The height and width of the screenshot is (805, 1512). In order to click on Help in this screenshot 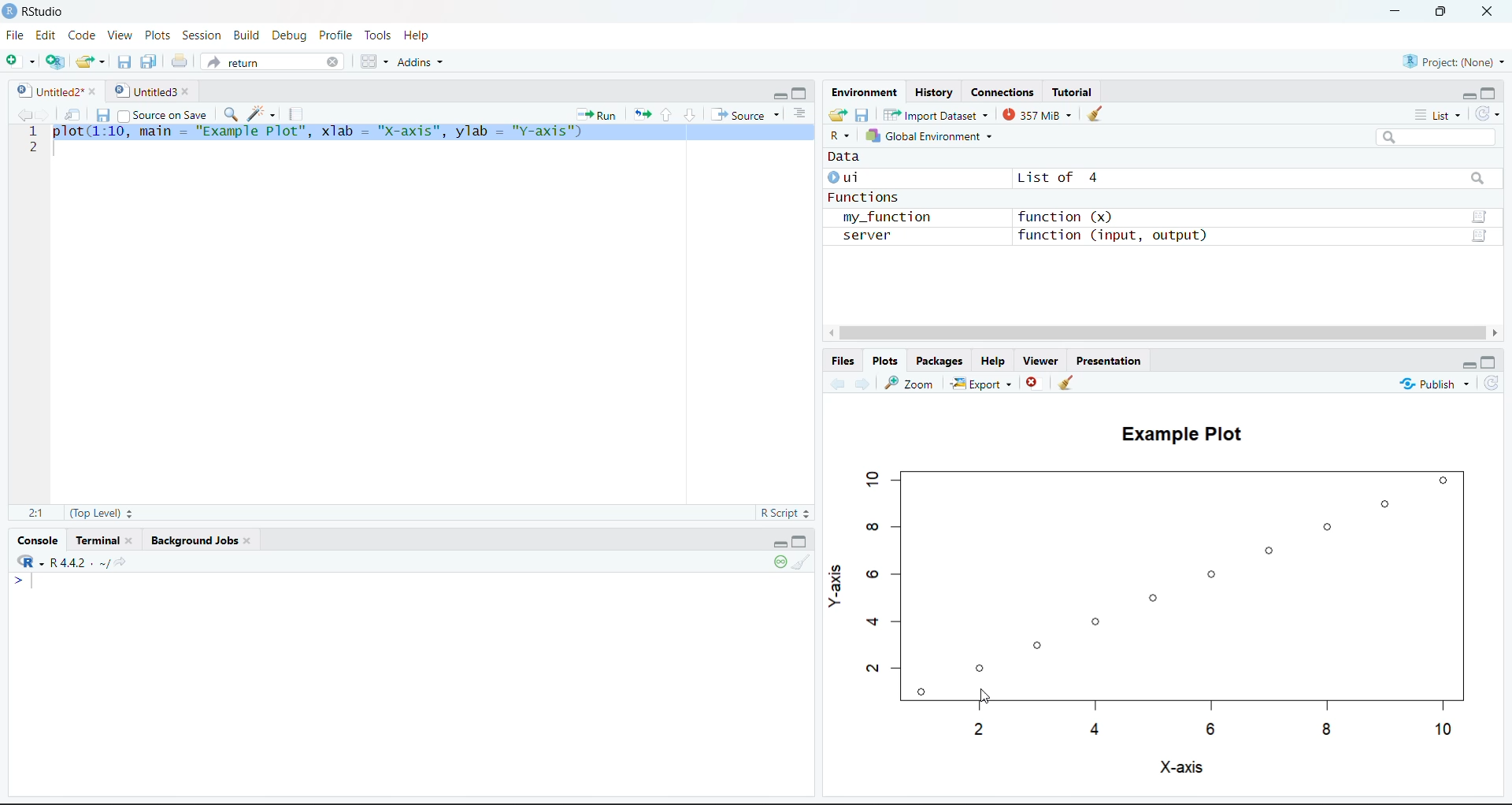, I will do `click(996, 360)`.